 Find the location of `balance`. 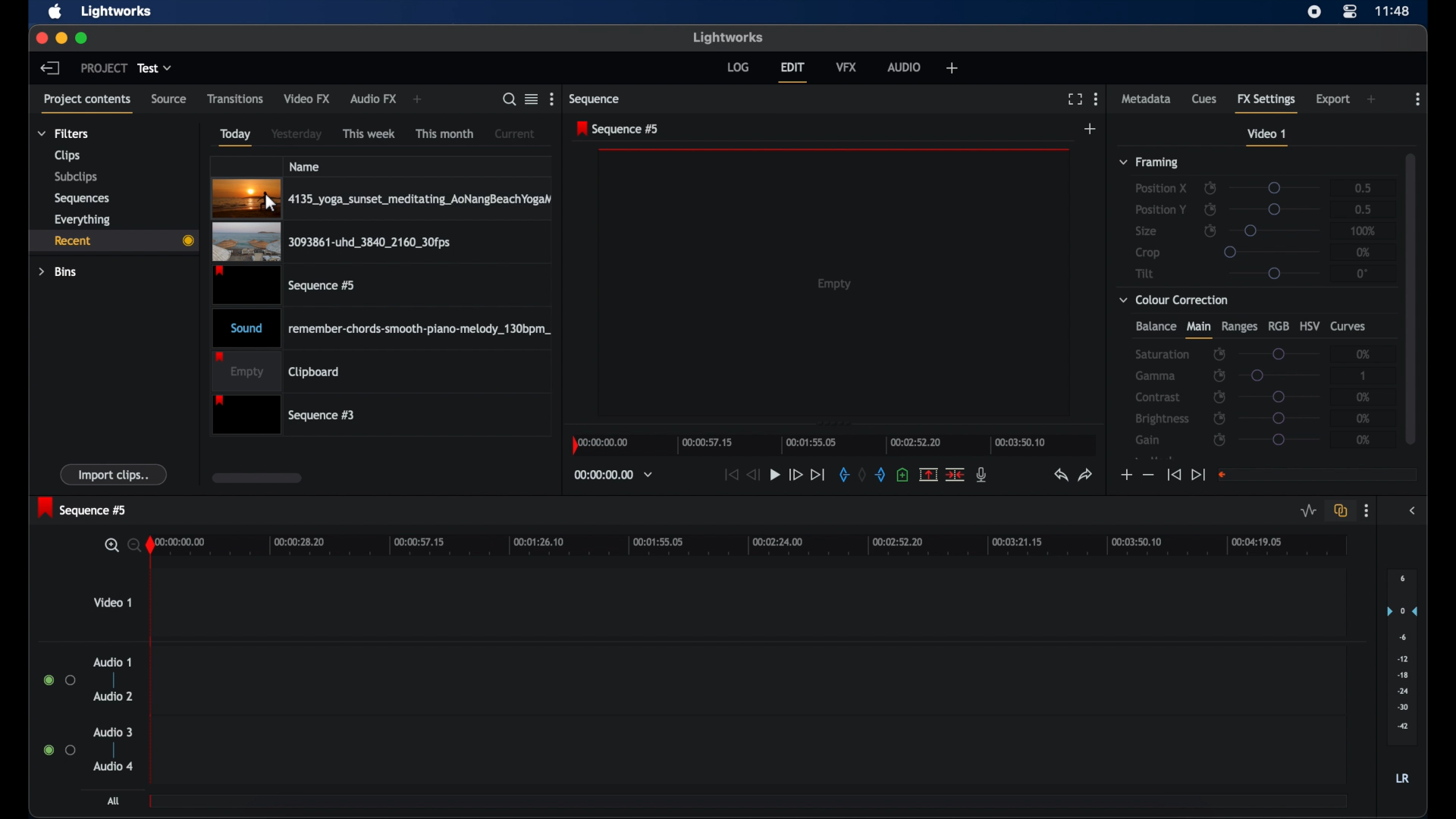

balance is located at coordinates (1155, 327).